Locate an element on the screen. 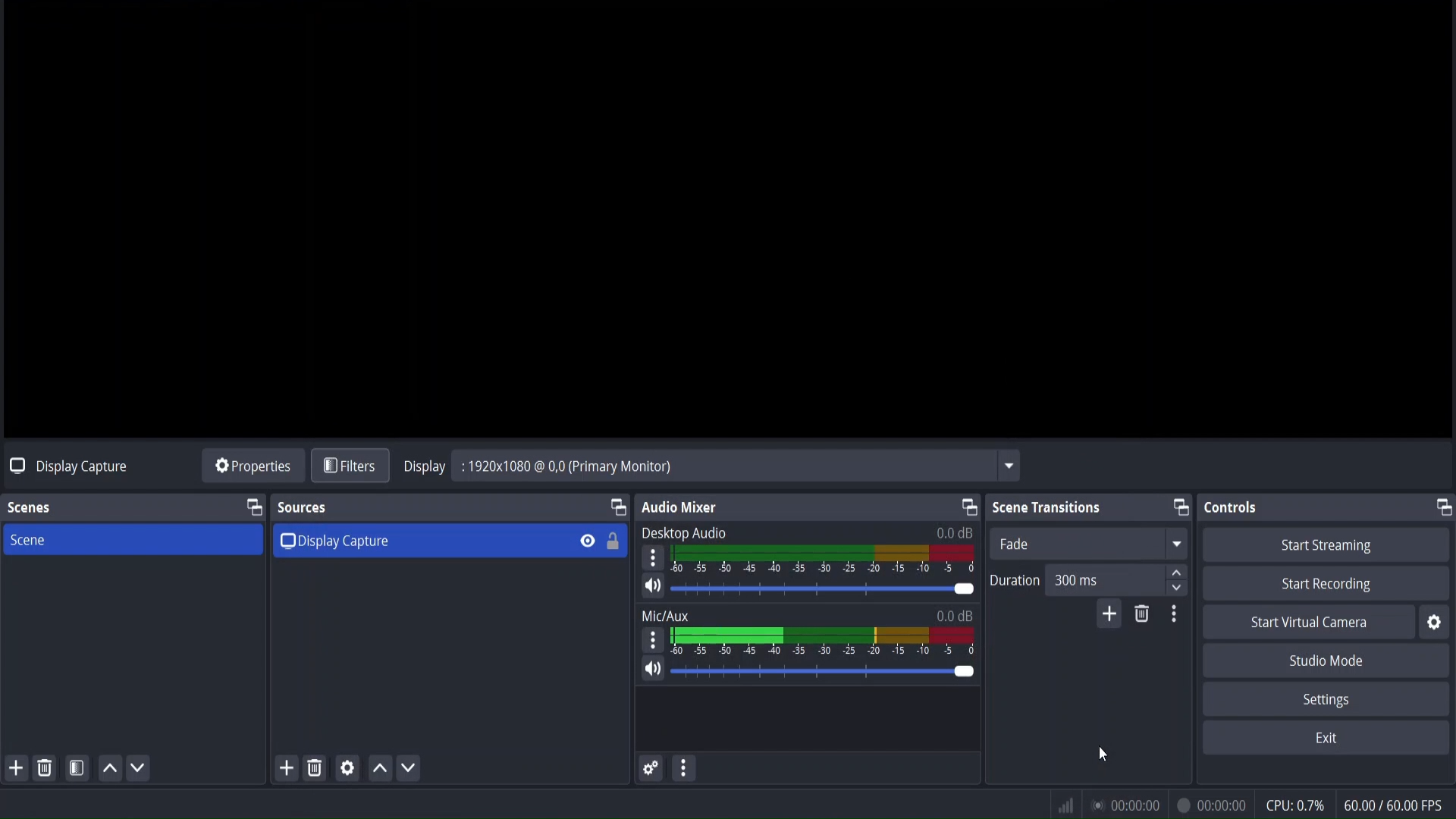 This screenshot has width=1456, height=819. move scene up is located at coordinates (108, 772).